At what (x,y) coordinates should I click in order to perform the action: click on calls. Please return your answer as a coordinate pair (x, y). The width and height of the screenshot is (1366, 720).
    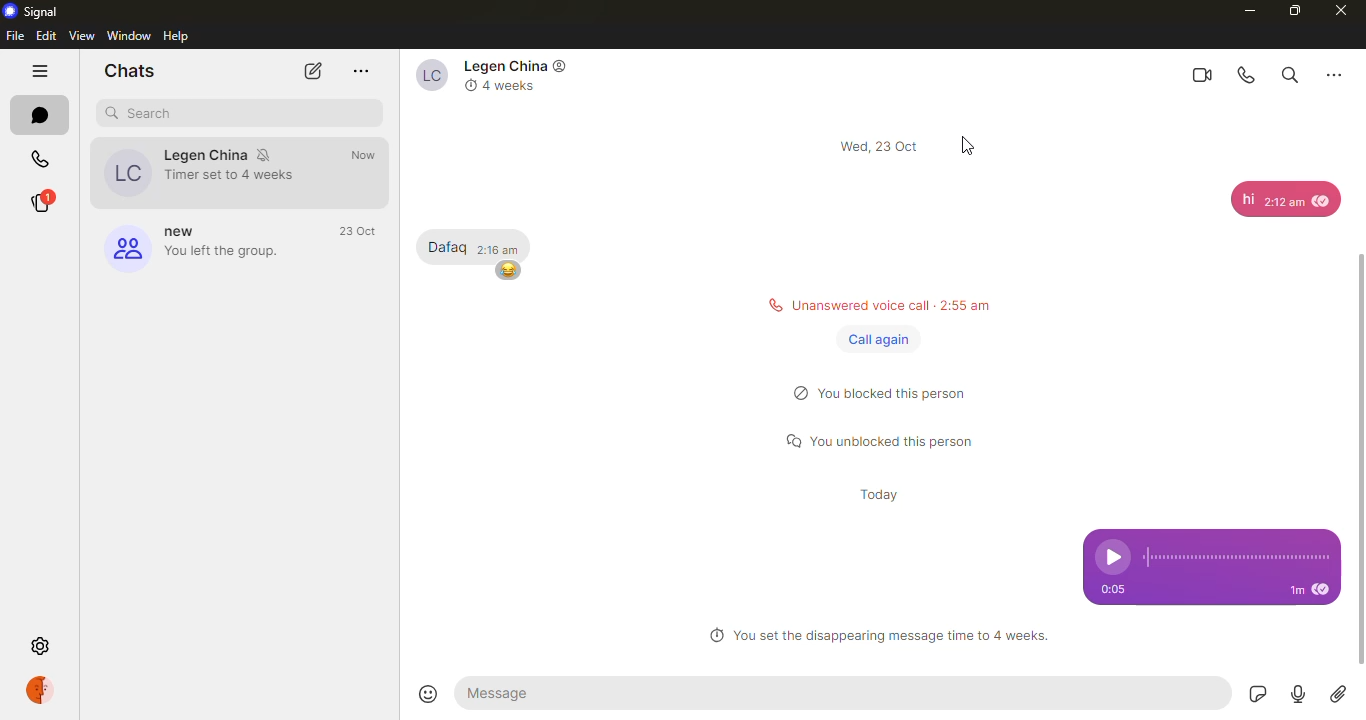
    Looking at the image, I should click on (43, 154).